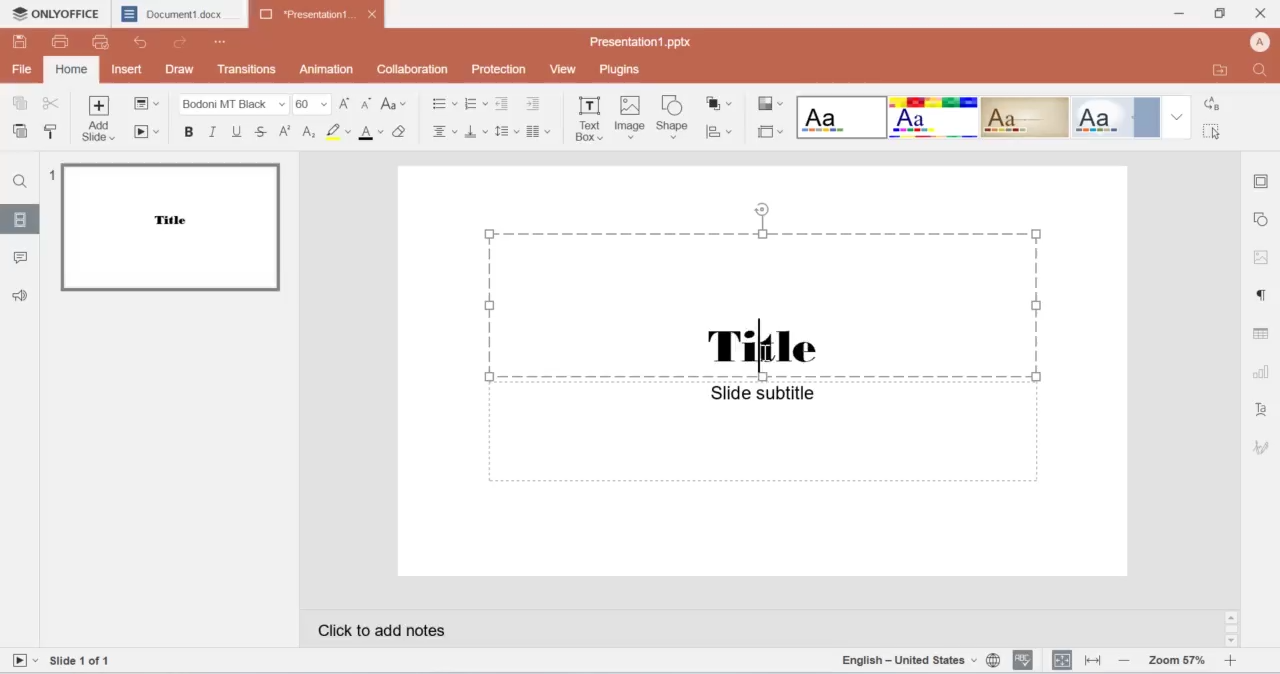 The image size is (1280, 674). What do you see at coordinates (1265, 70) in the screenshot?
I see `search` at bounding box center [1265, 70].